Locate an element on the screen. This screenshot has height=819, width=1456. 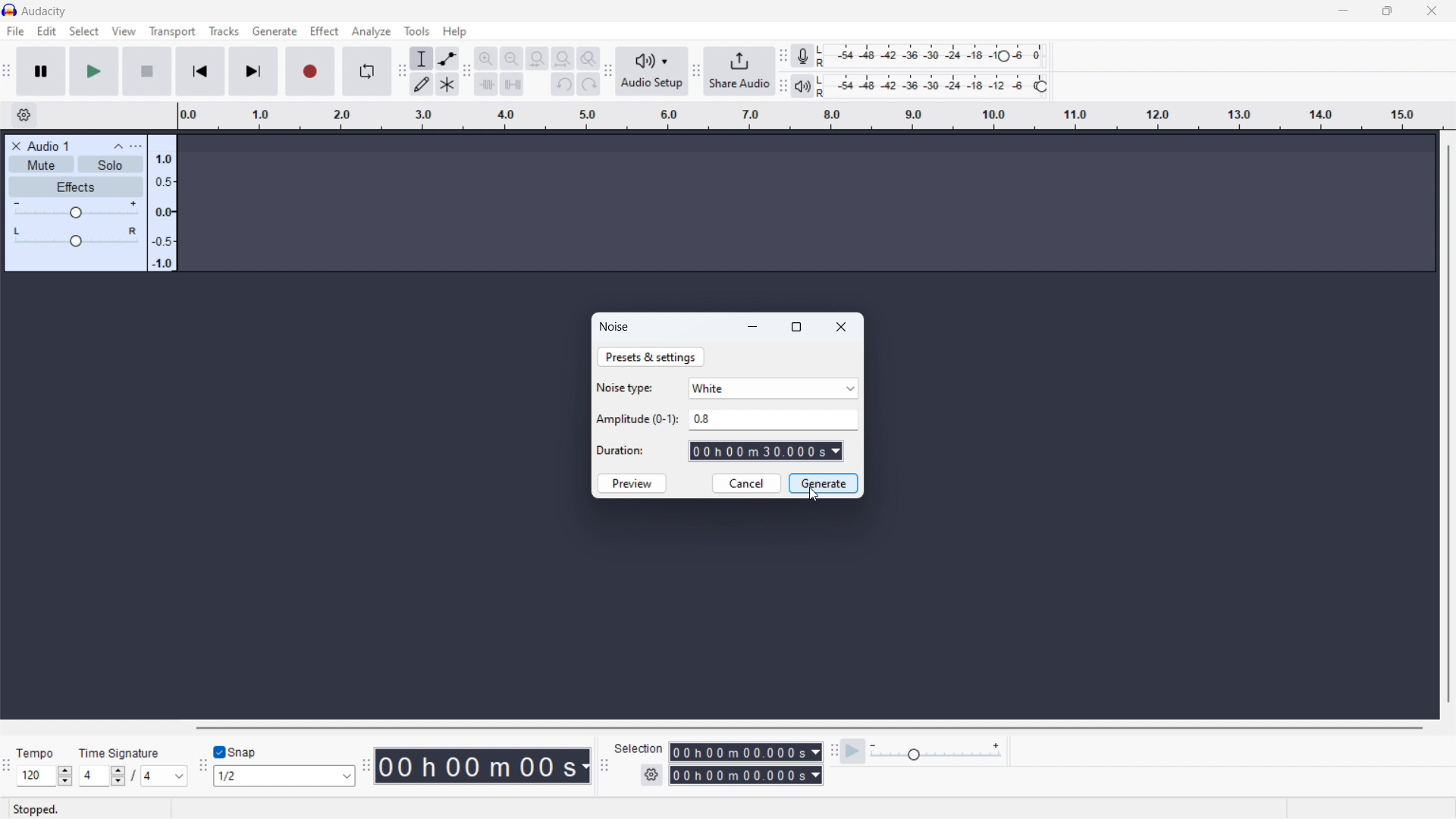
settings is located at coordinates (651, 776).